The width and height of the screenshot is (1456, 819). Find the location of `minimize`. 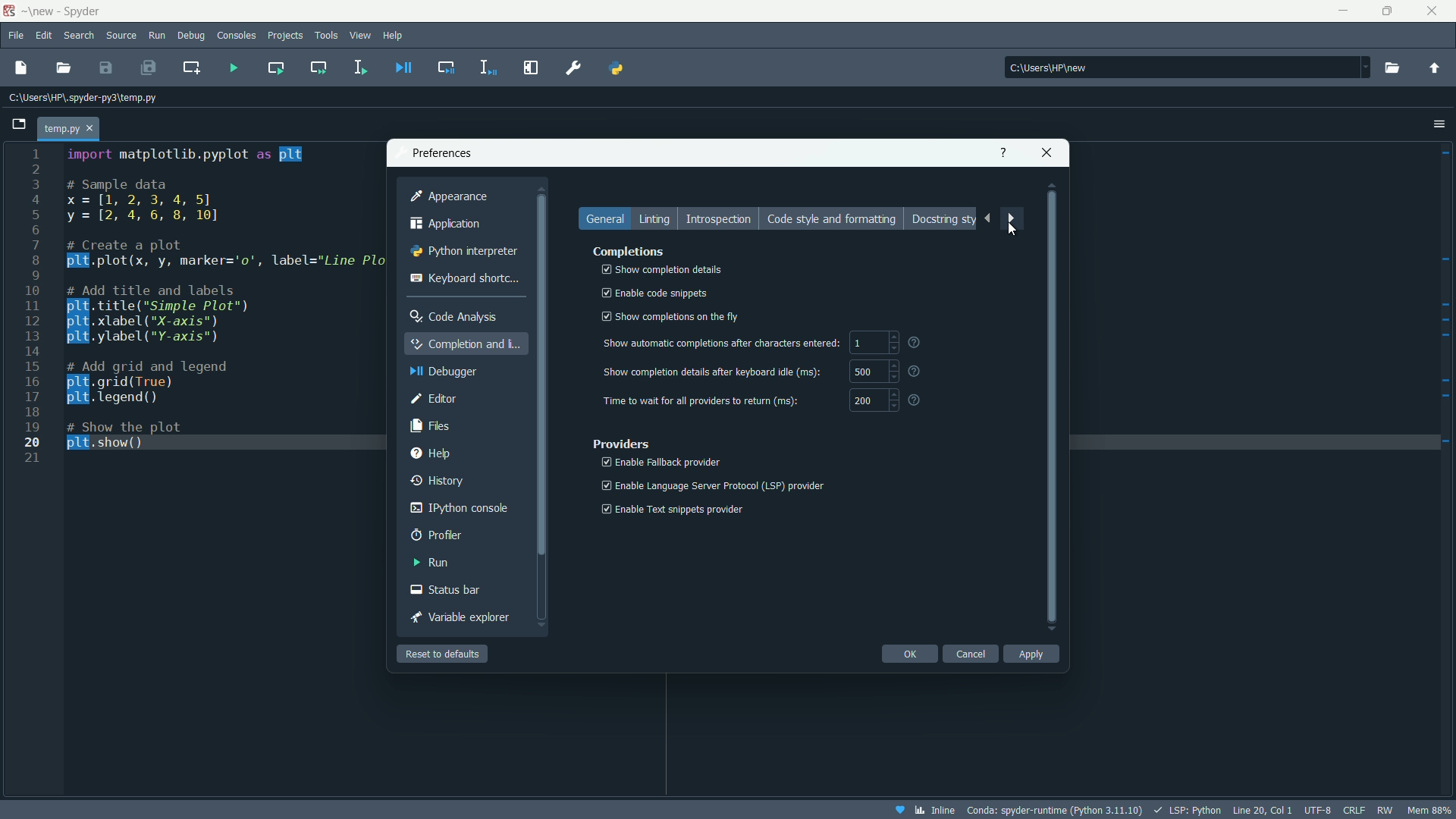

minimize is located at coordinates (1341, 11).